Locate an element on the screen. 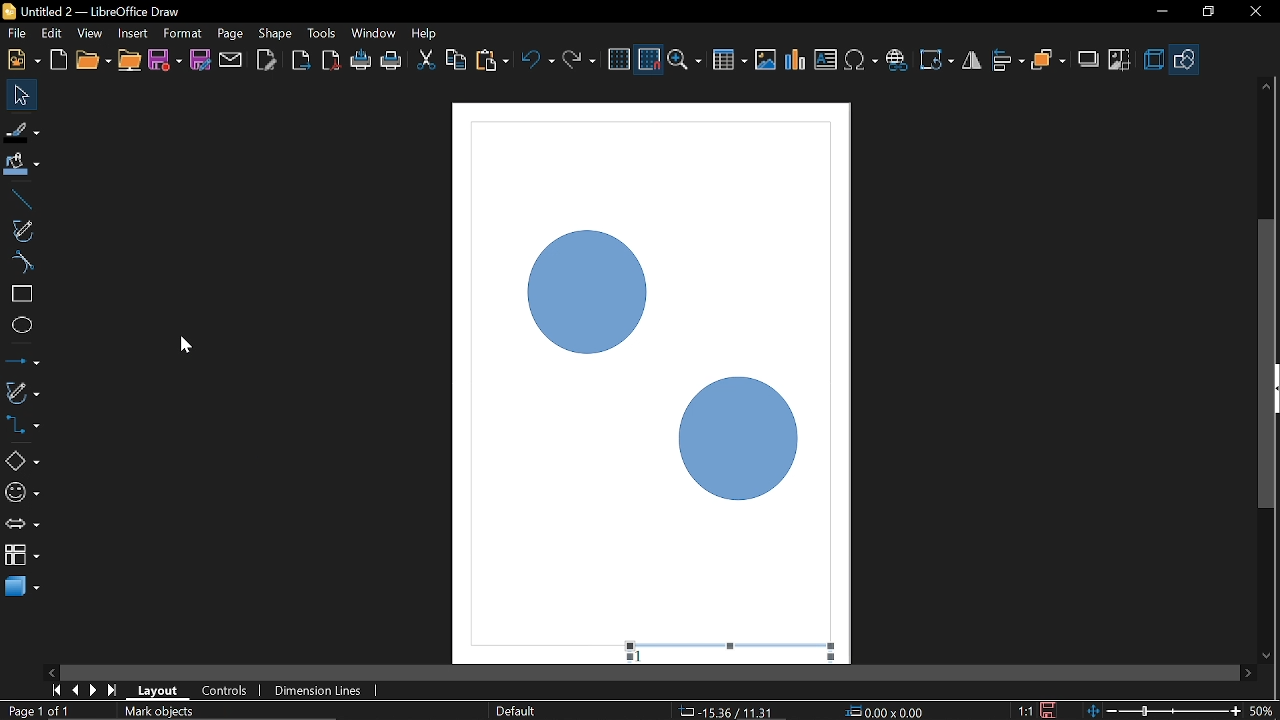  Export is located at coordinates (299, 62).